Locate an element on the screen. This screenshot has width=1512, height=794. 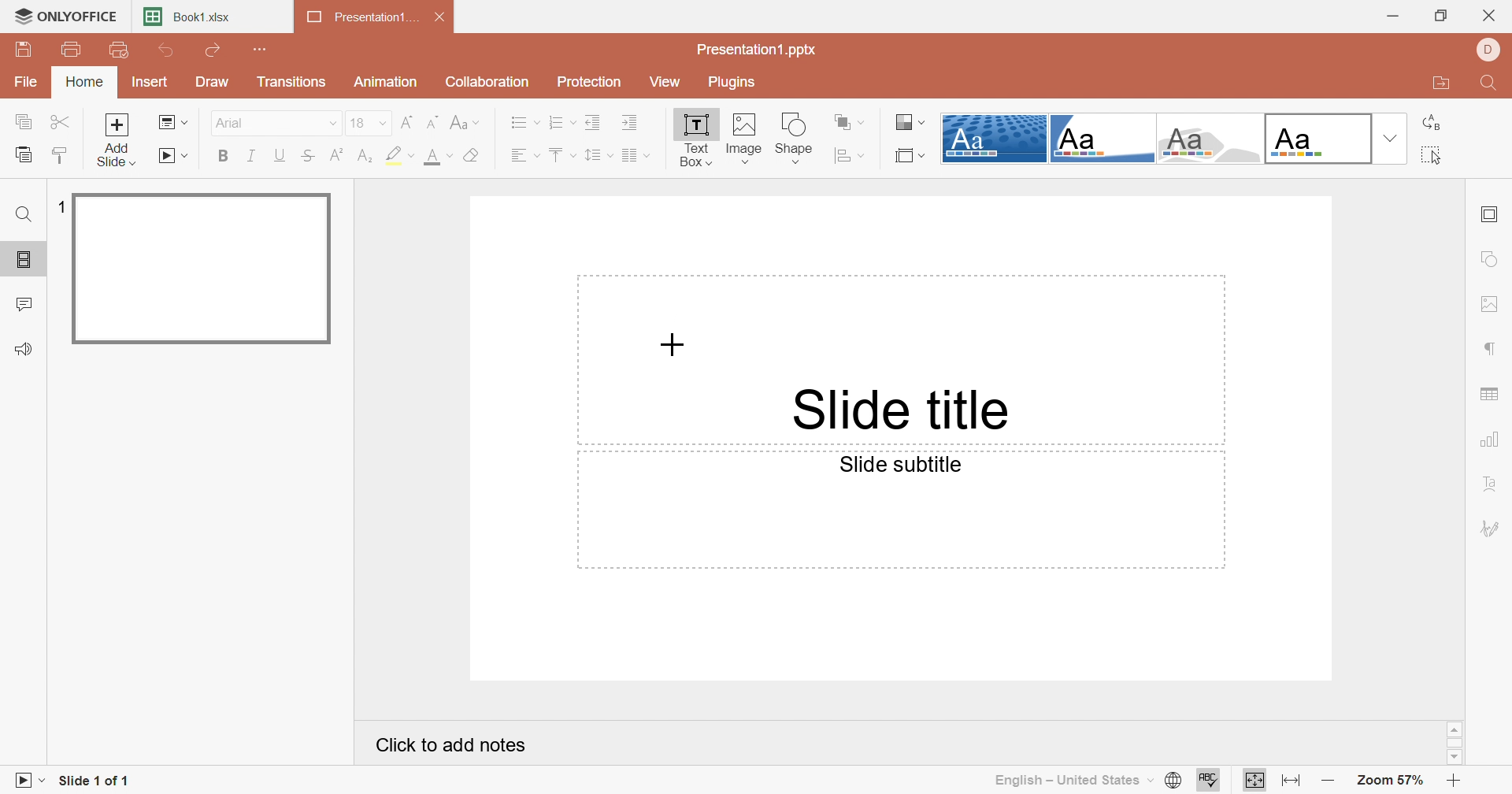
Horizontal align is located at coordinates (522, 155).